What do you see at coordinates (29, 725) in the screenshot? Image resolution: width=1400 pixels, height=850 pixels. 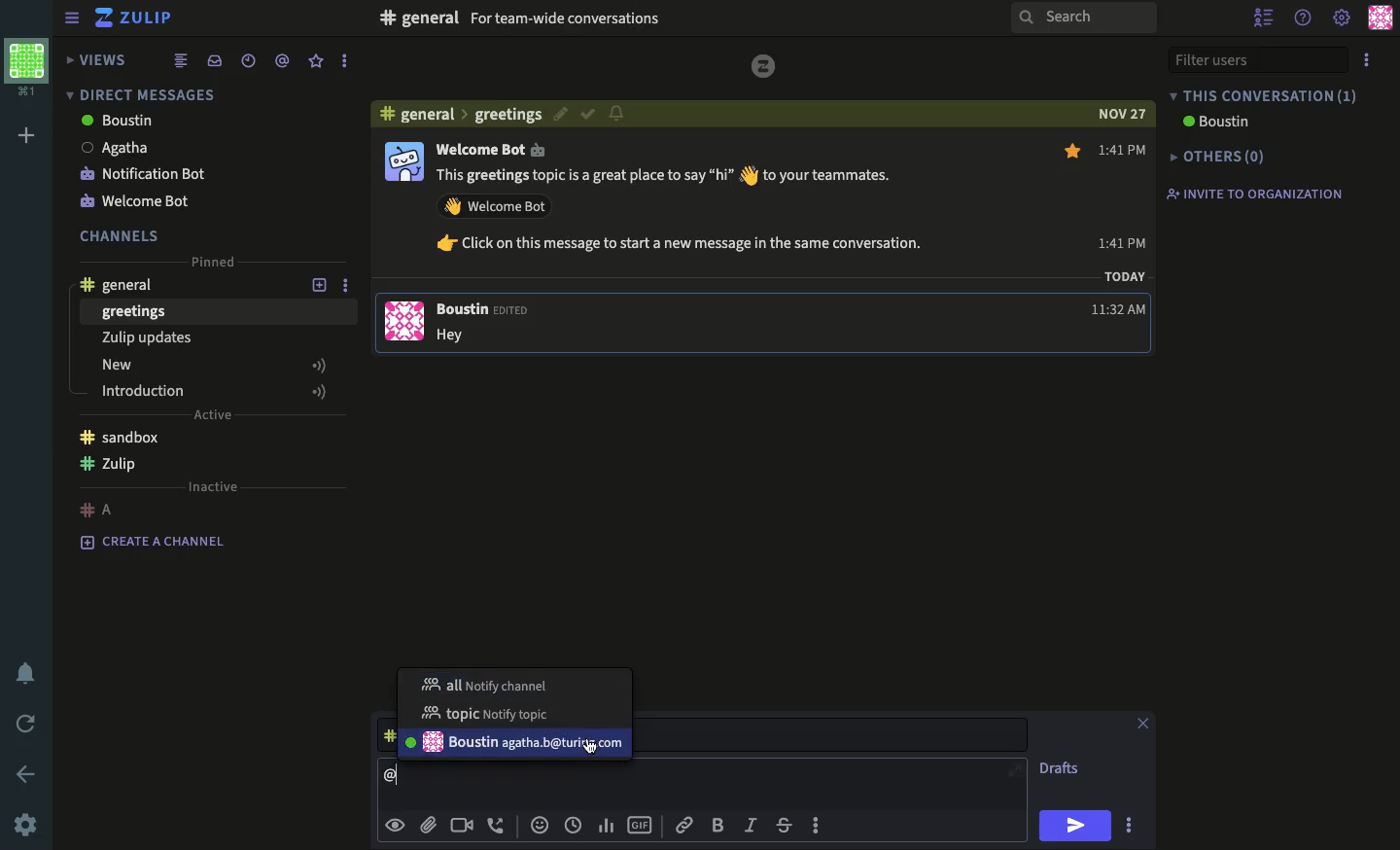 I see `refresh` at bounding box center [29, 725].